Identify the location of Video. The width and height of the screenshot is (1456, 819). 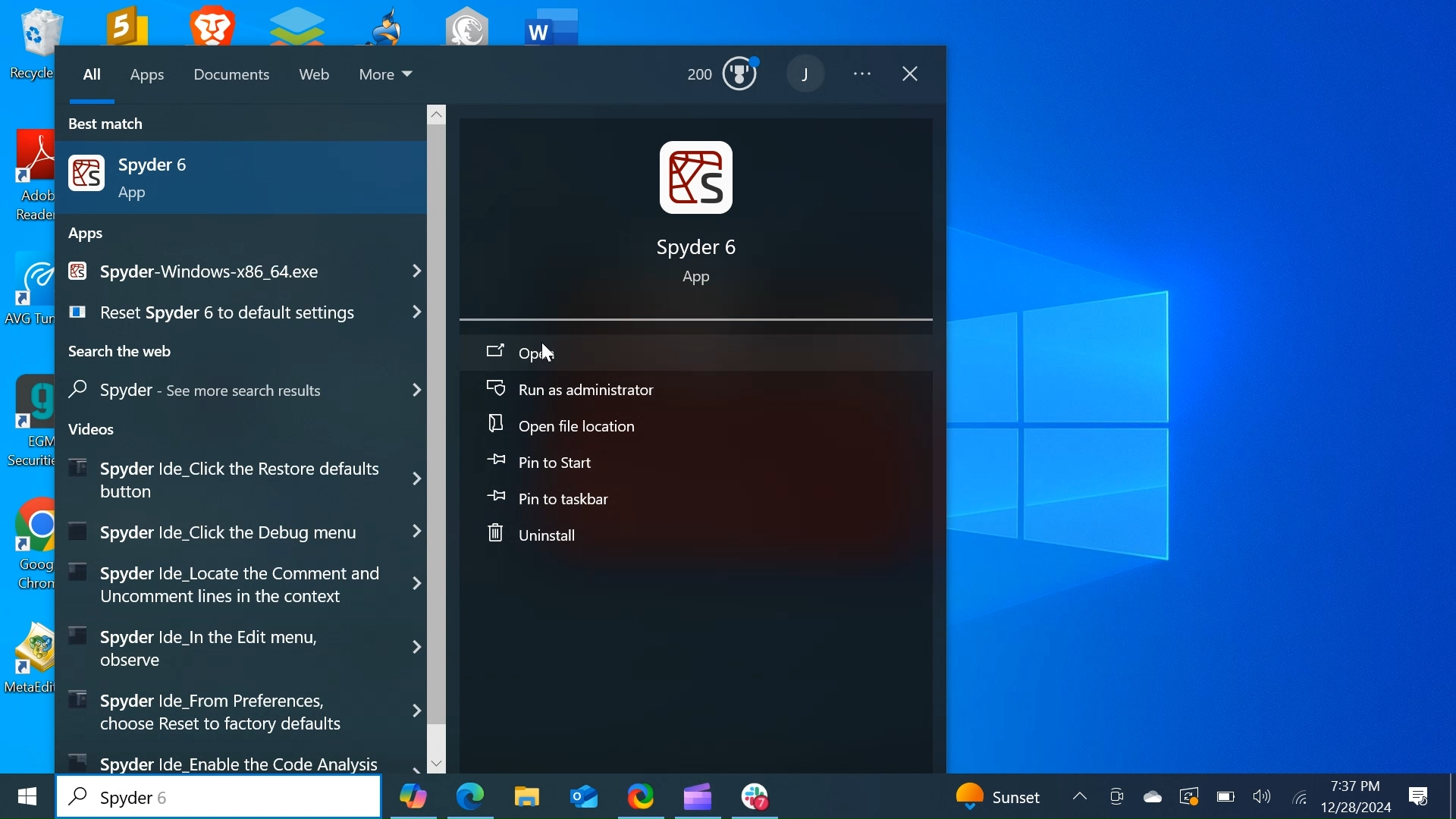
(243, 584).